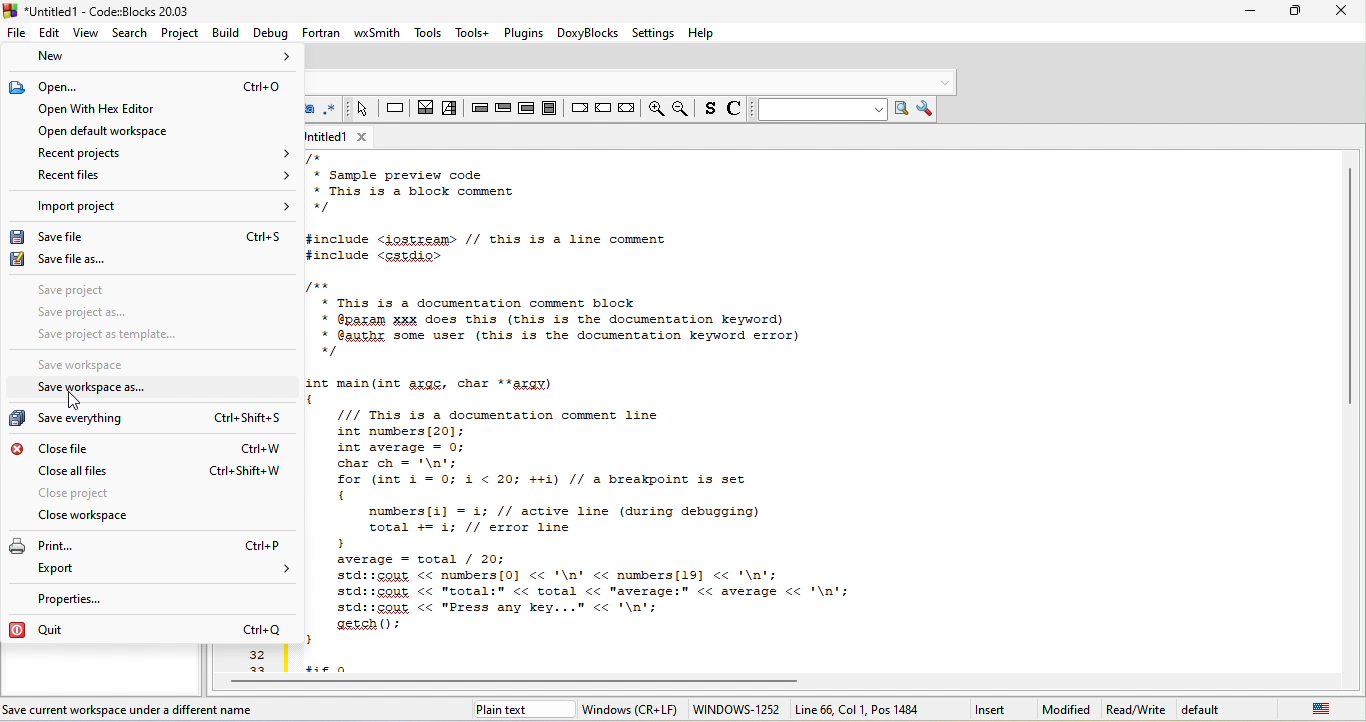 The image size is (1366, 722). Describe the element at coordinates (77, 401) in the screenshot. I see `cursor movement` at that location.